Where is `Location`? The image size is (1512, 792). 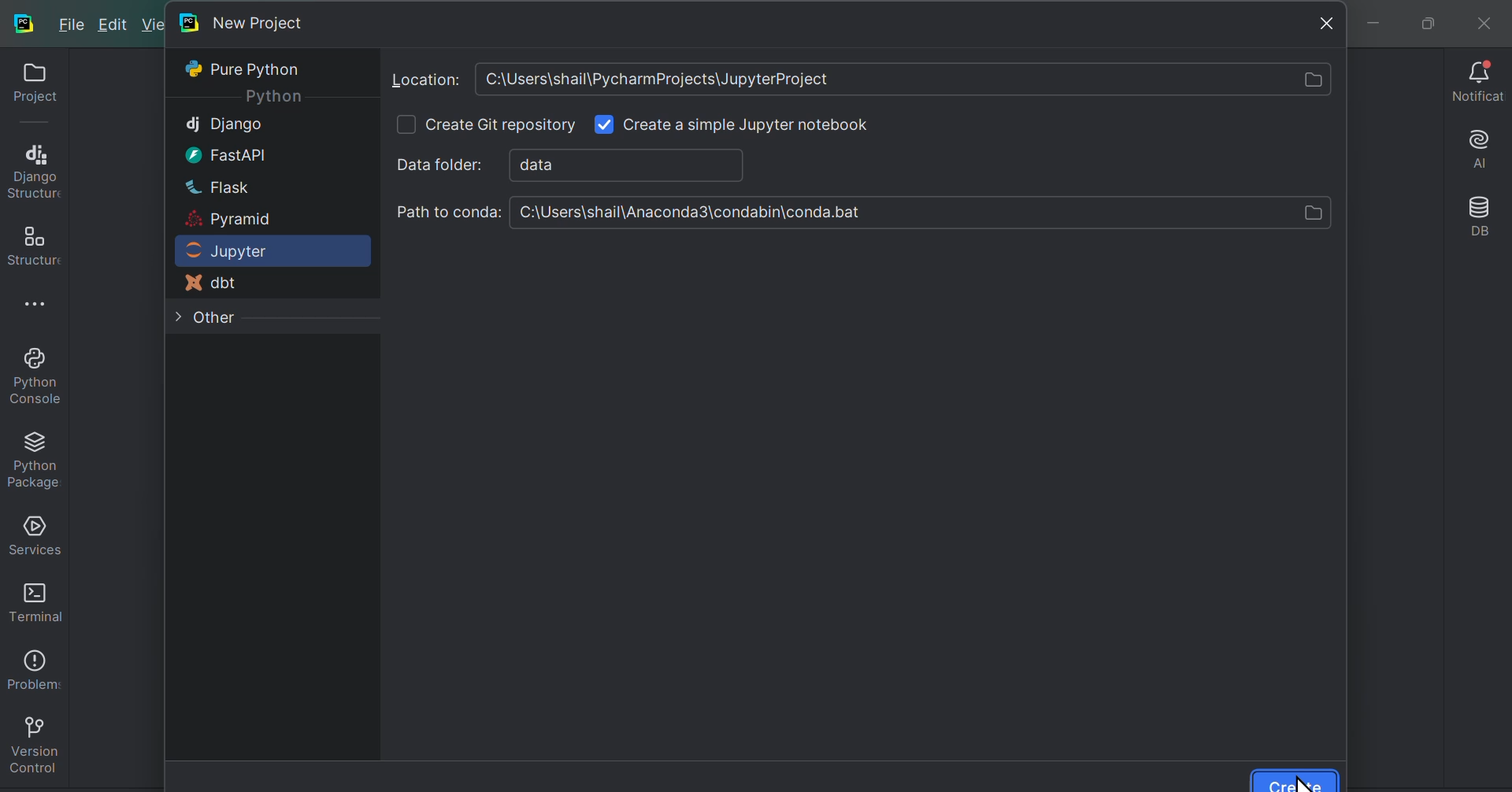
Location is located at coordinates (862, 80).